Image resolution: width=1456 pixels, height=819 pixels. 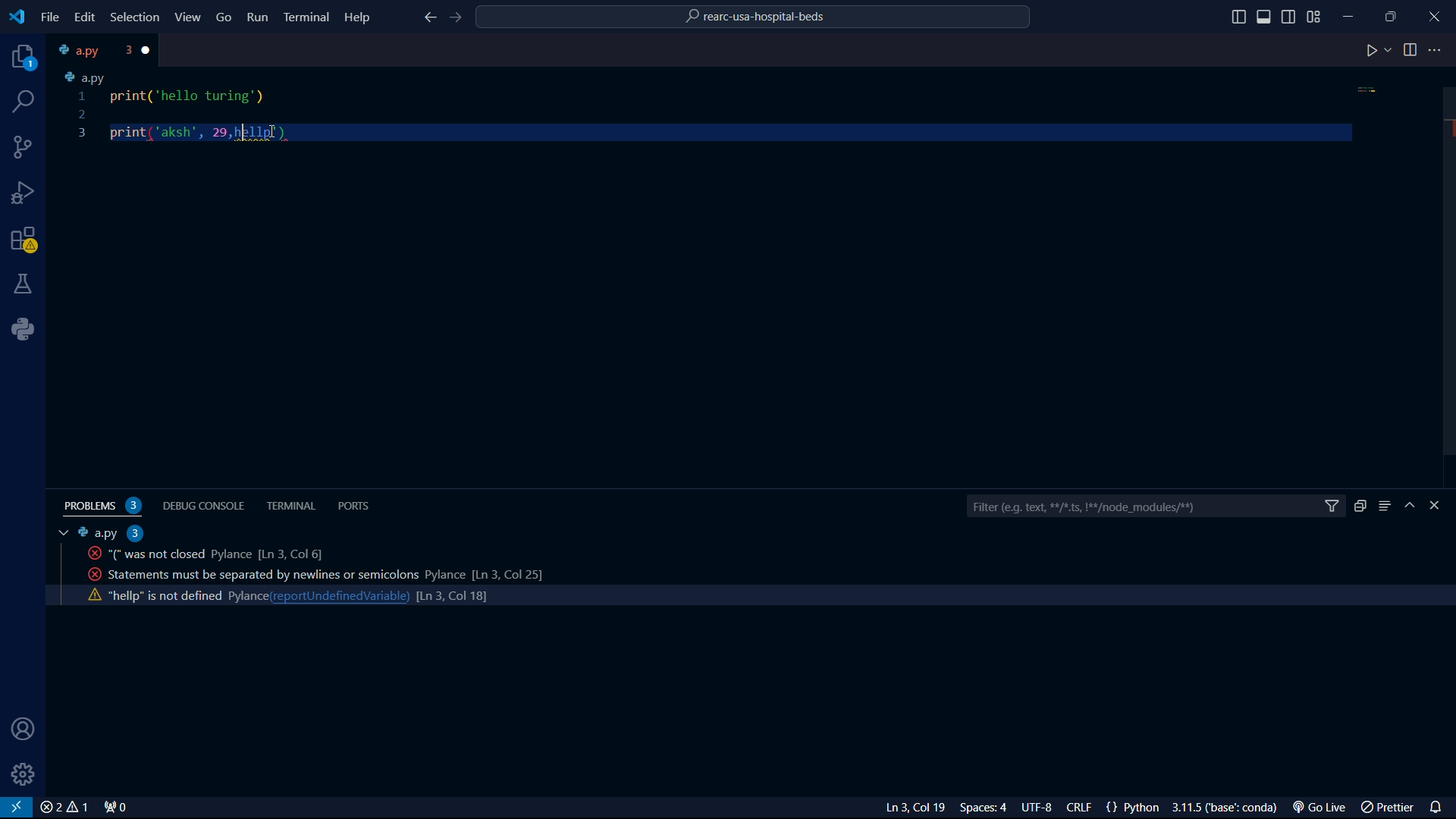 What do you see at coordinates (1323, 808) in the screenshot?
I see `Go Live` at bounding box center [1323, 808].